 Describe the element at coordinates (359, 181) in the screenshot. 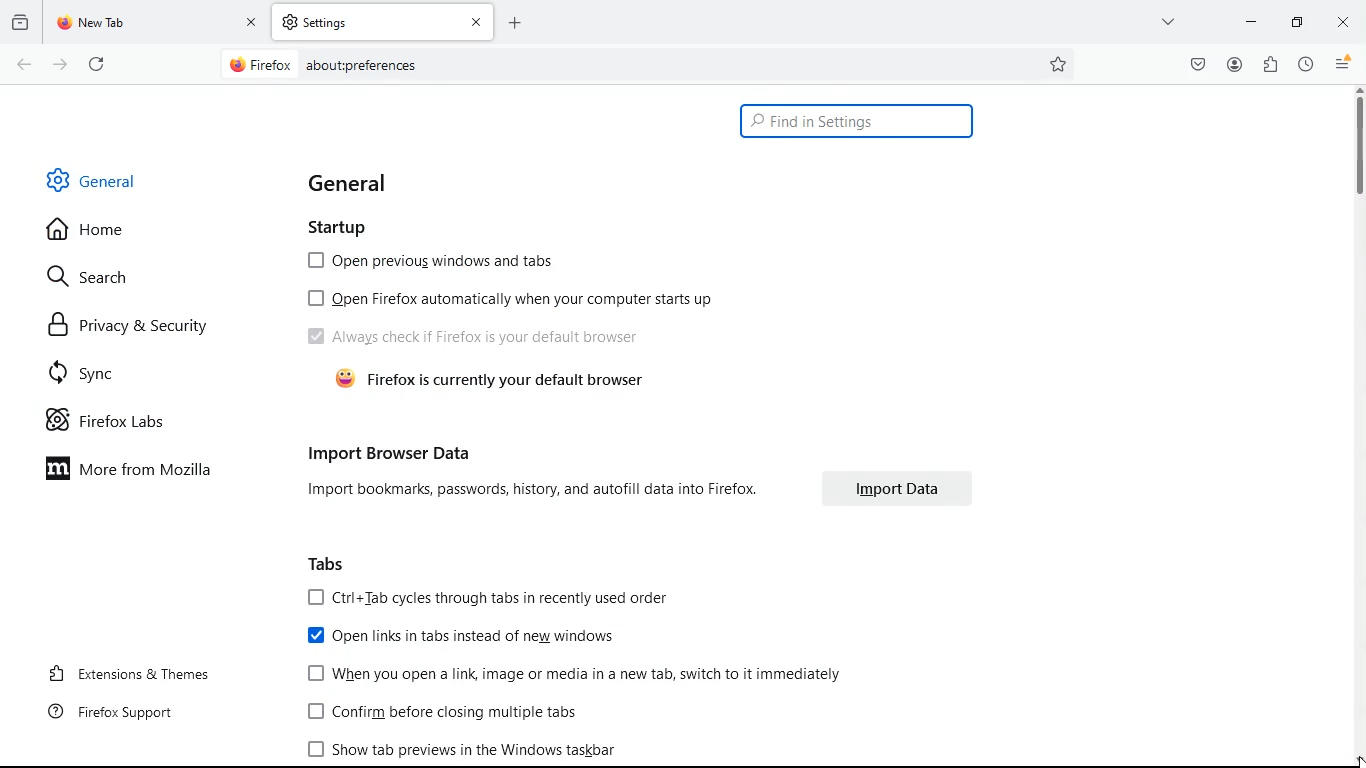

I see `general` at that location.